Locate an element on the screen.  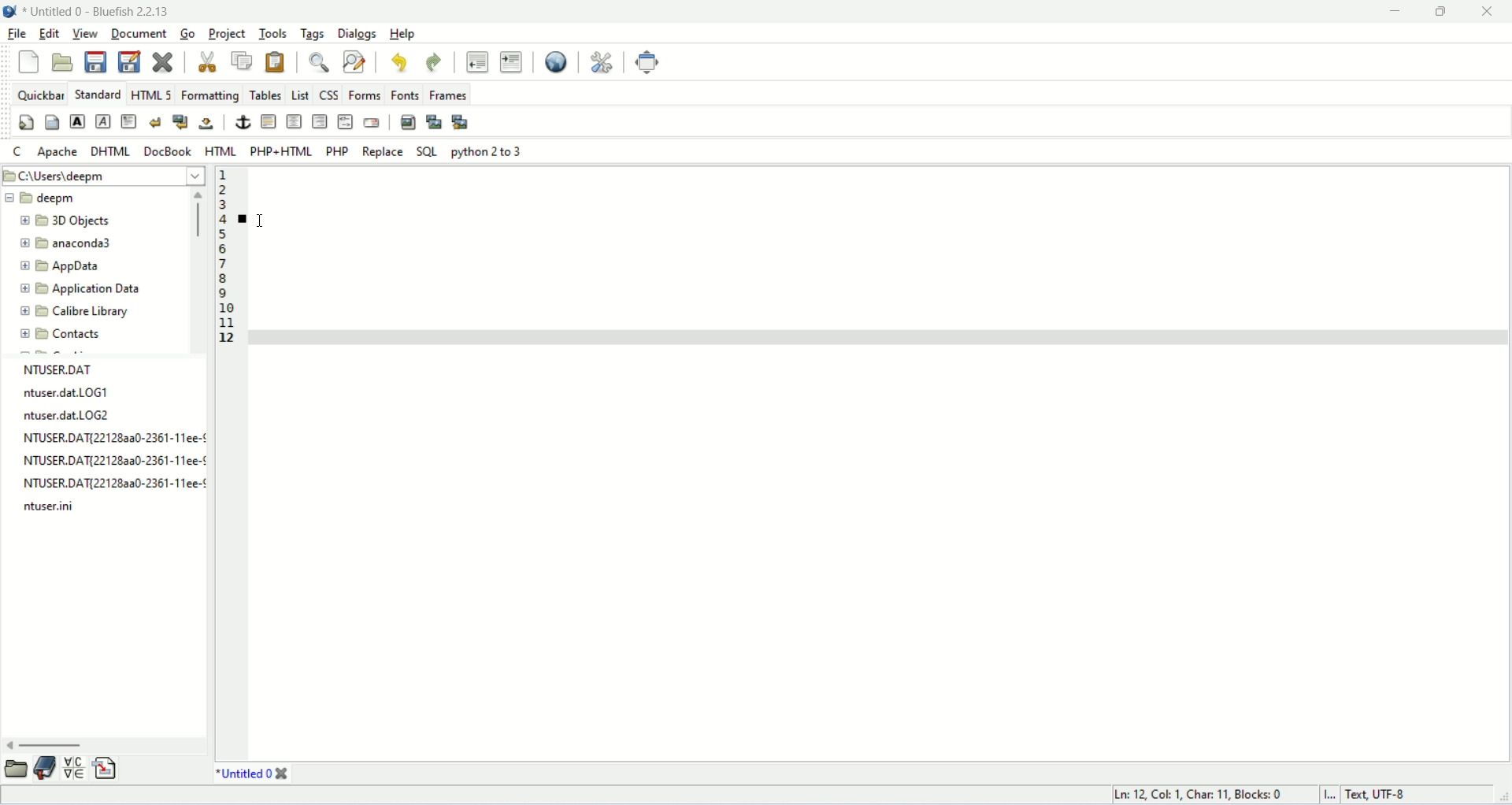
NTUSER.DAT{22128AA0-2361-11EE- is located at coordinates (120, 484).